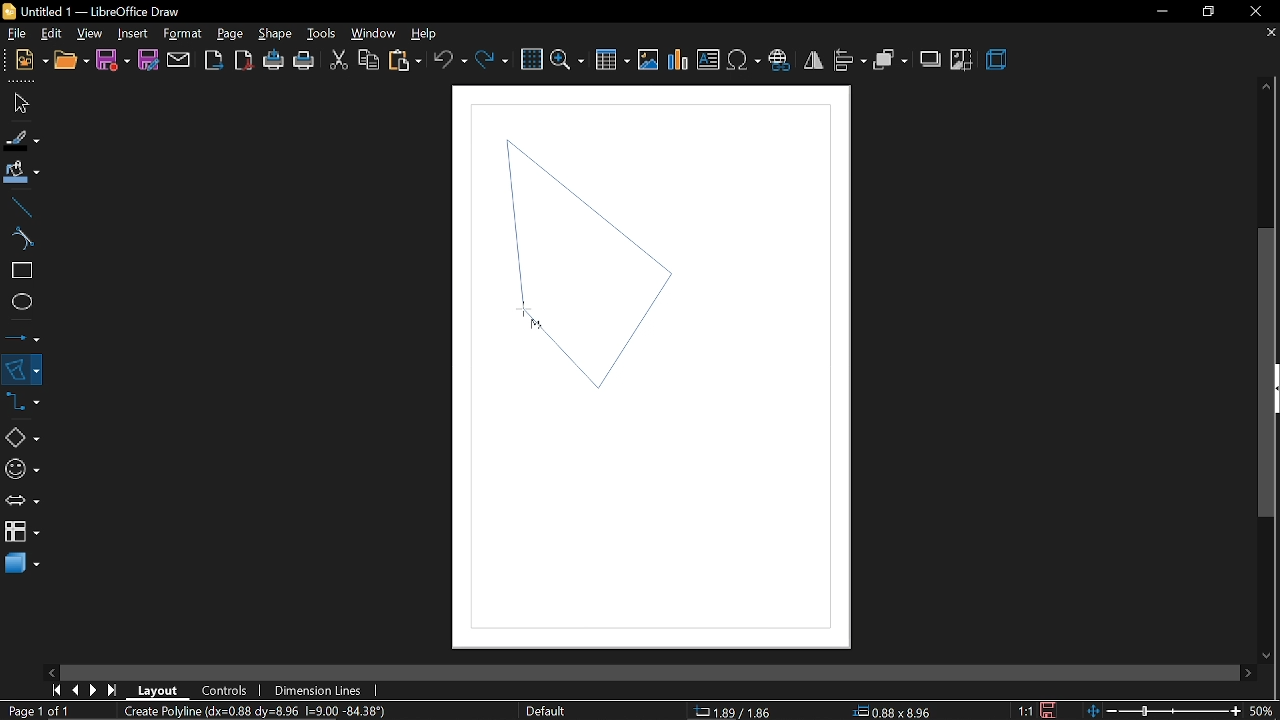 This screenshot has width=1280, height=720. I want to click on curve, so click(18, 240).